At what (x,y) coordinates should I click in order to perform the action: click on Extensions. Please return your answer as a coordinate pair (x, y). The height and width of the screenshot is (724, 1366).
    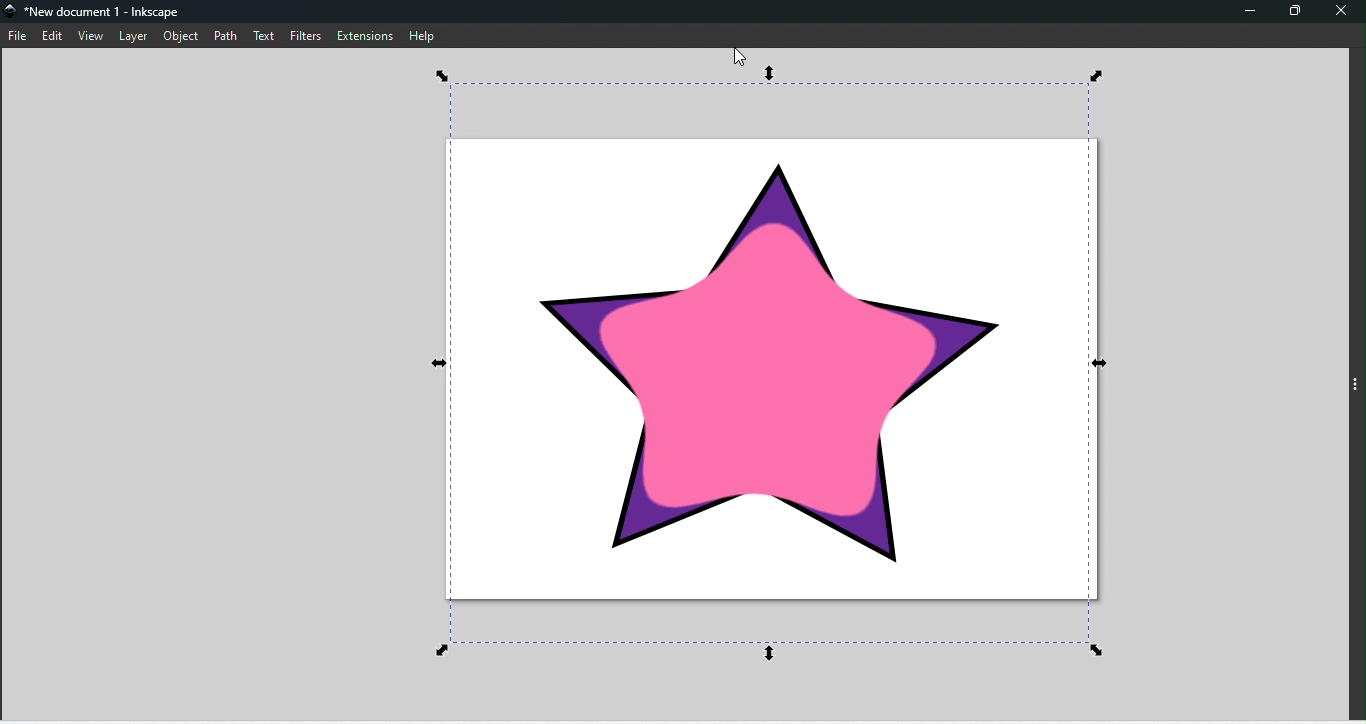
    Looking at the image, I should click on (365, 37).